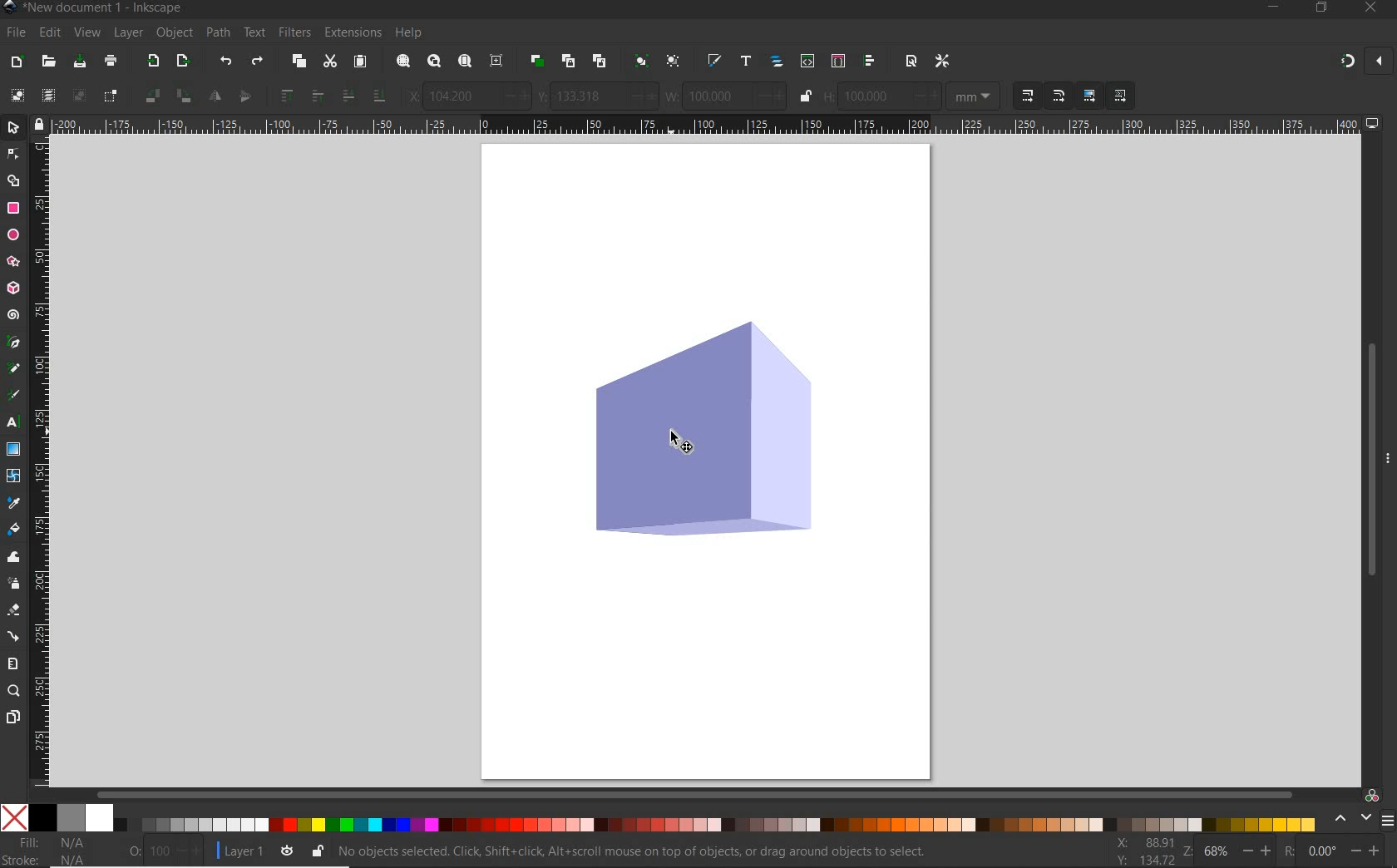 The height and width of the screenshot is (868, 1397). Describe the element at coordinates (16, 62) in the screenshot. I see `NEW` at that location.